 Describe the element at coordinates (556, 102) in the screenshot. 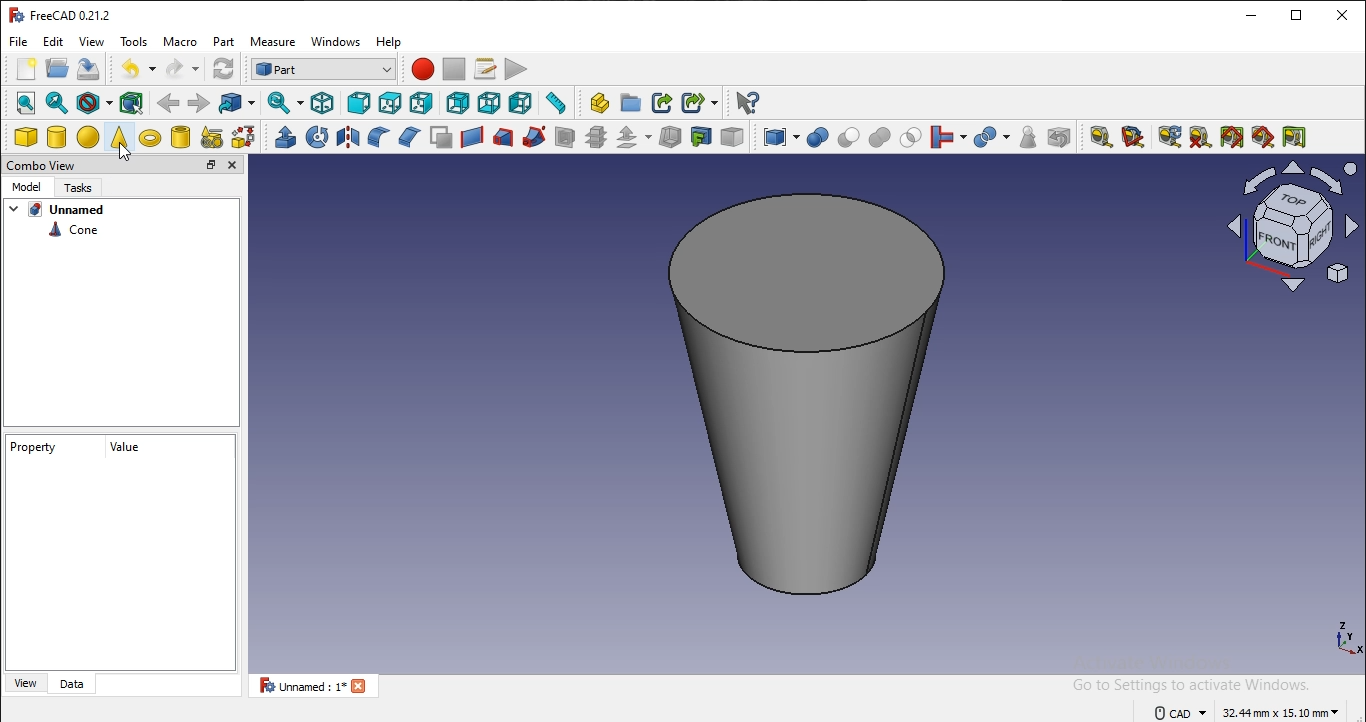

I see `measure distance` at that location.